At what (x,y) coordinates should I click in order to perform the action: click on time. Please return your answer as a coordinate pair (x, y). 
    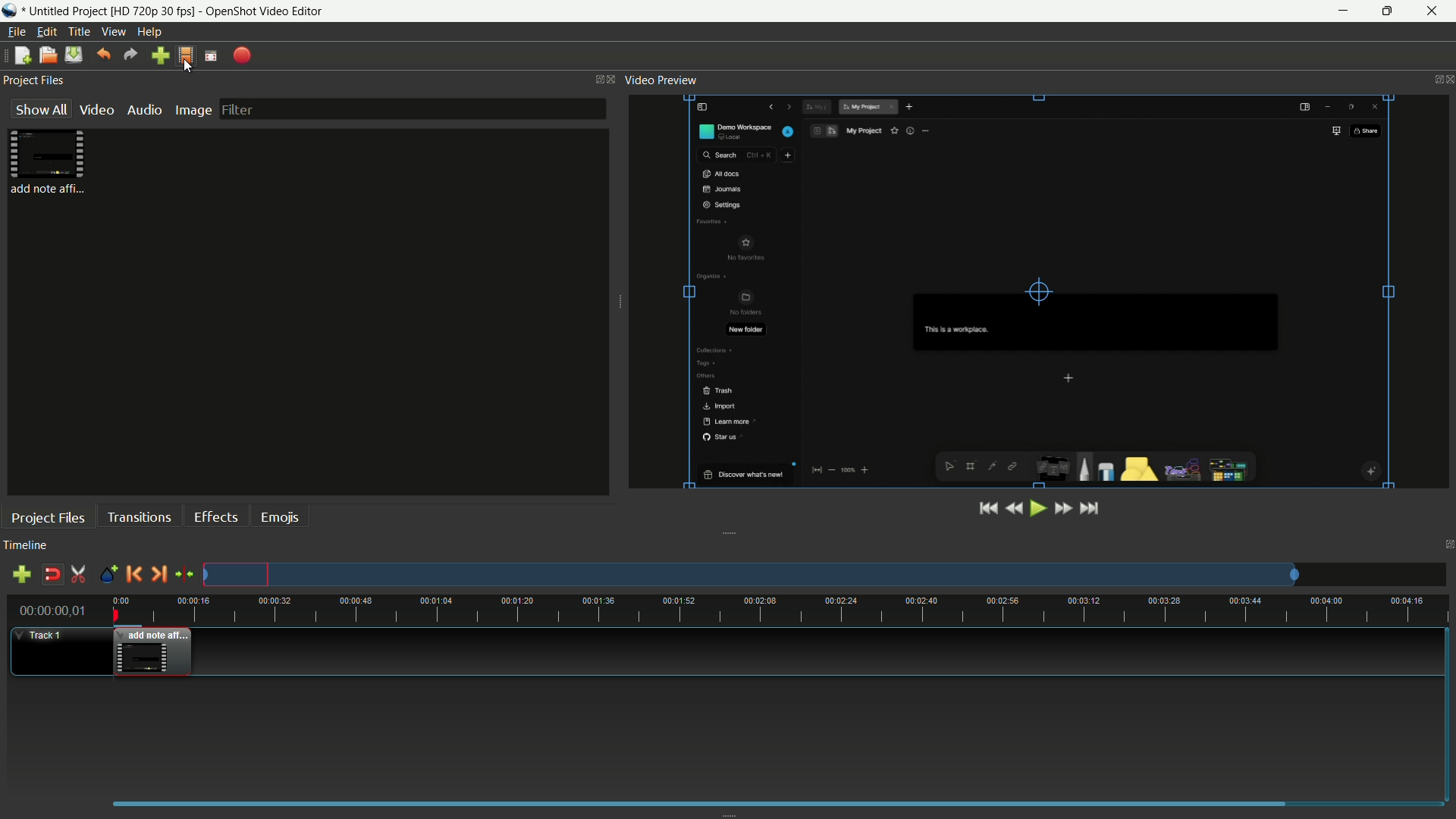
    Looking at the image, I should click on (781, 611).